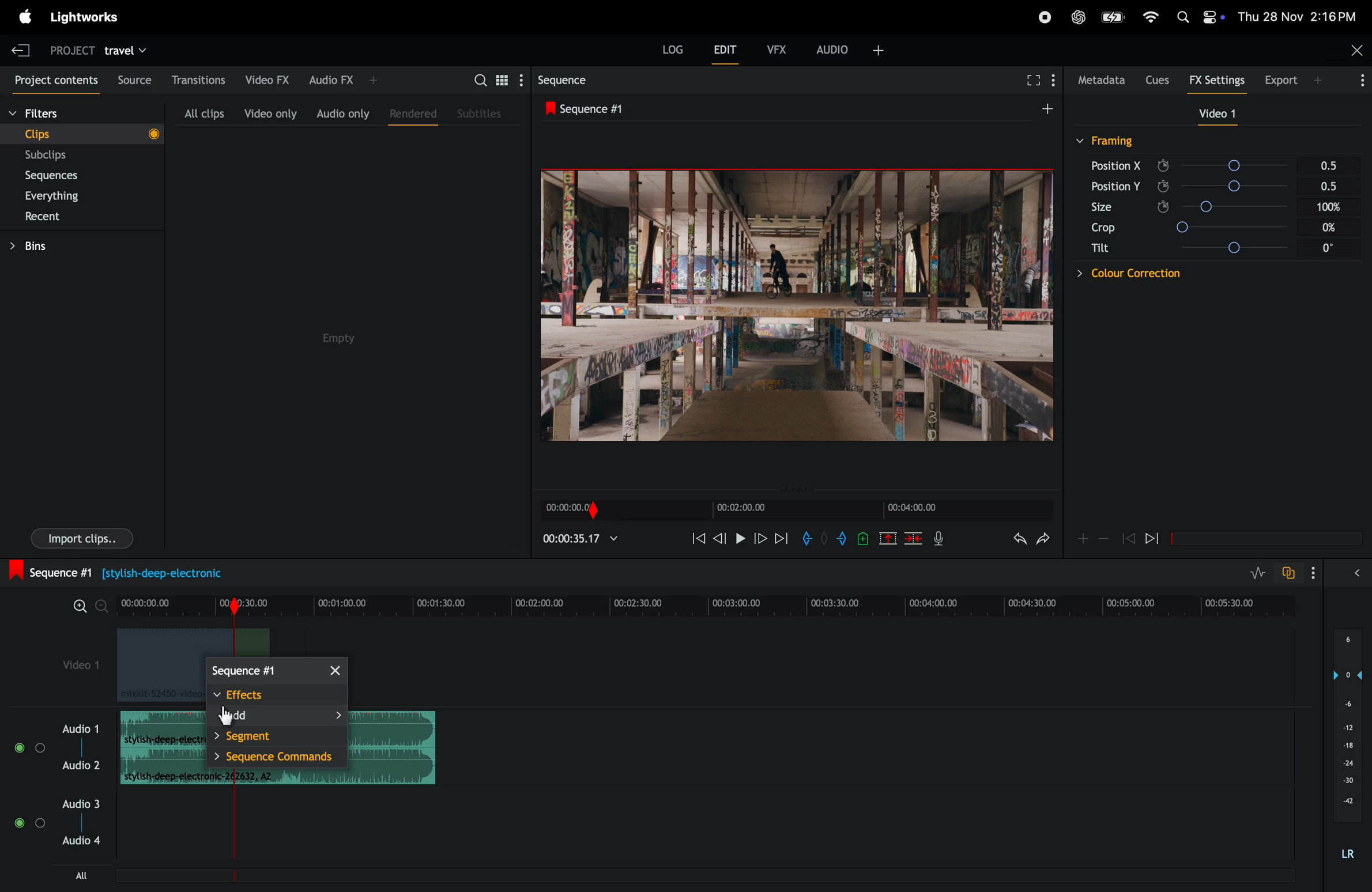 Image resolution: width=1372 pixels, height=892 pixels. What do you see at coordinates (851, 48) in the screenshot?
I see `audio` at bounding box center [851, 48].